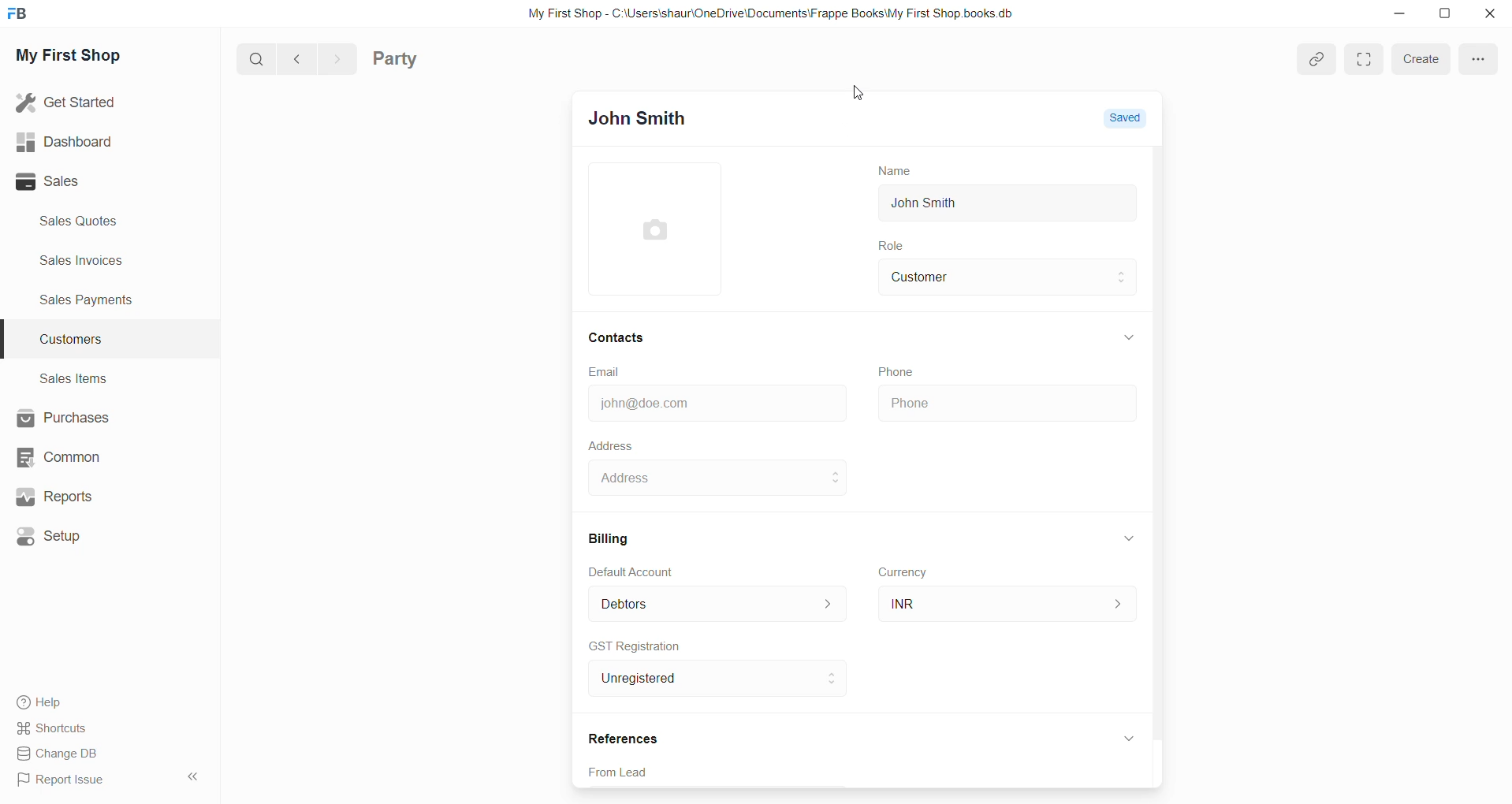 The image size is (1512, 804). I want to click on Reports, so click(54, 497).